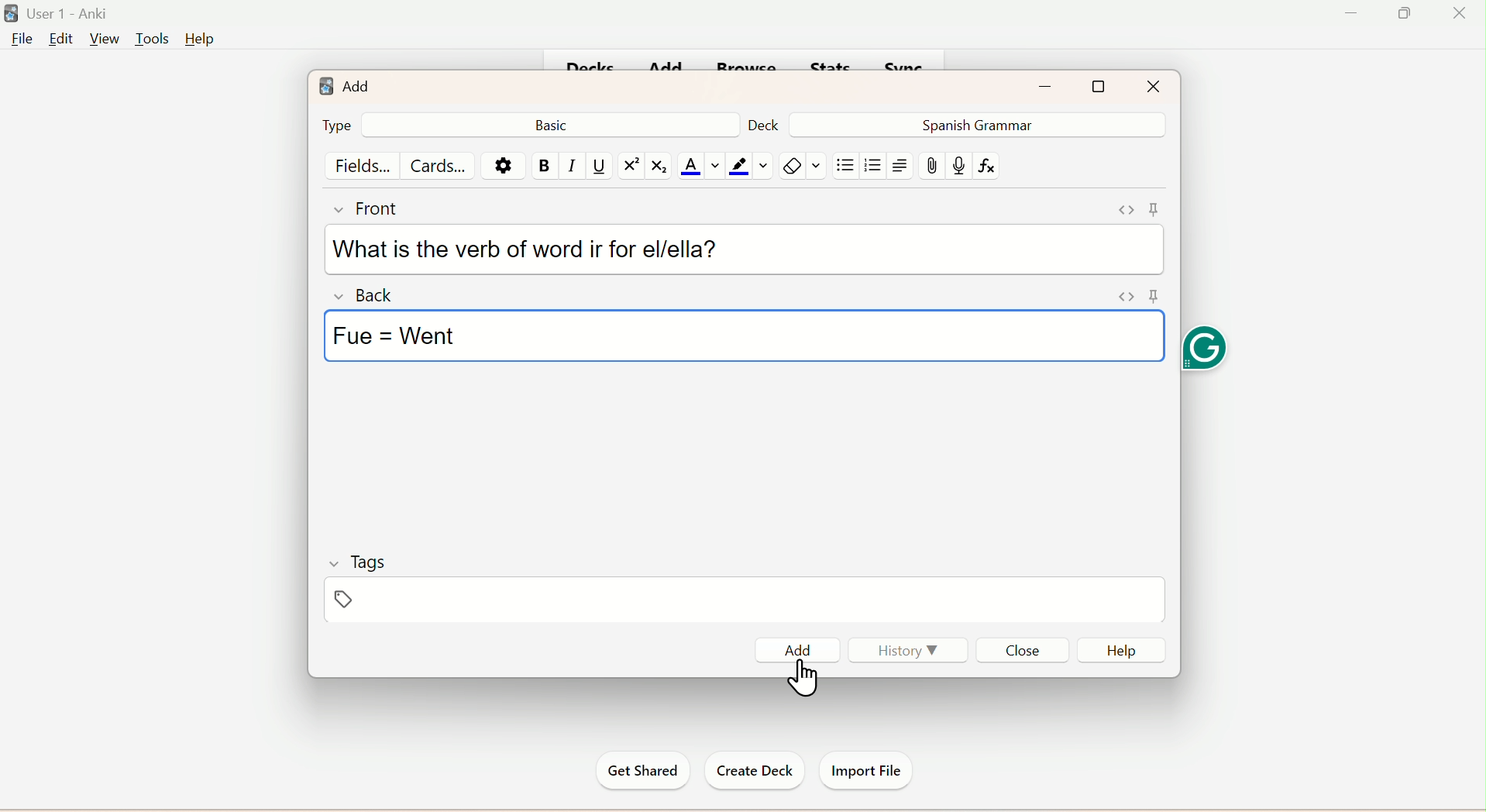 The height and width of the screenshot is (812, 1486). Describe the element at coordinates (369, 603) in the screenshot. I see `Tags` at that location.